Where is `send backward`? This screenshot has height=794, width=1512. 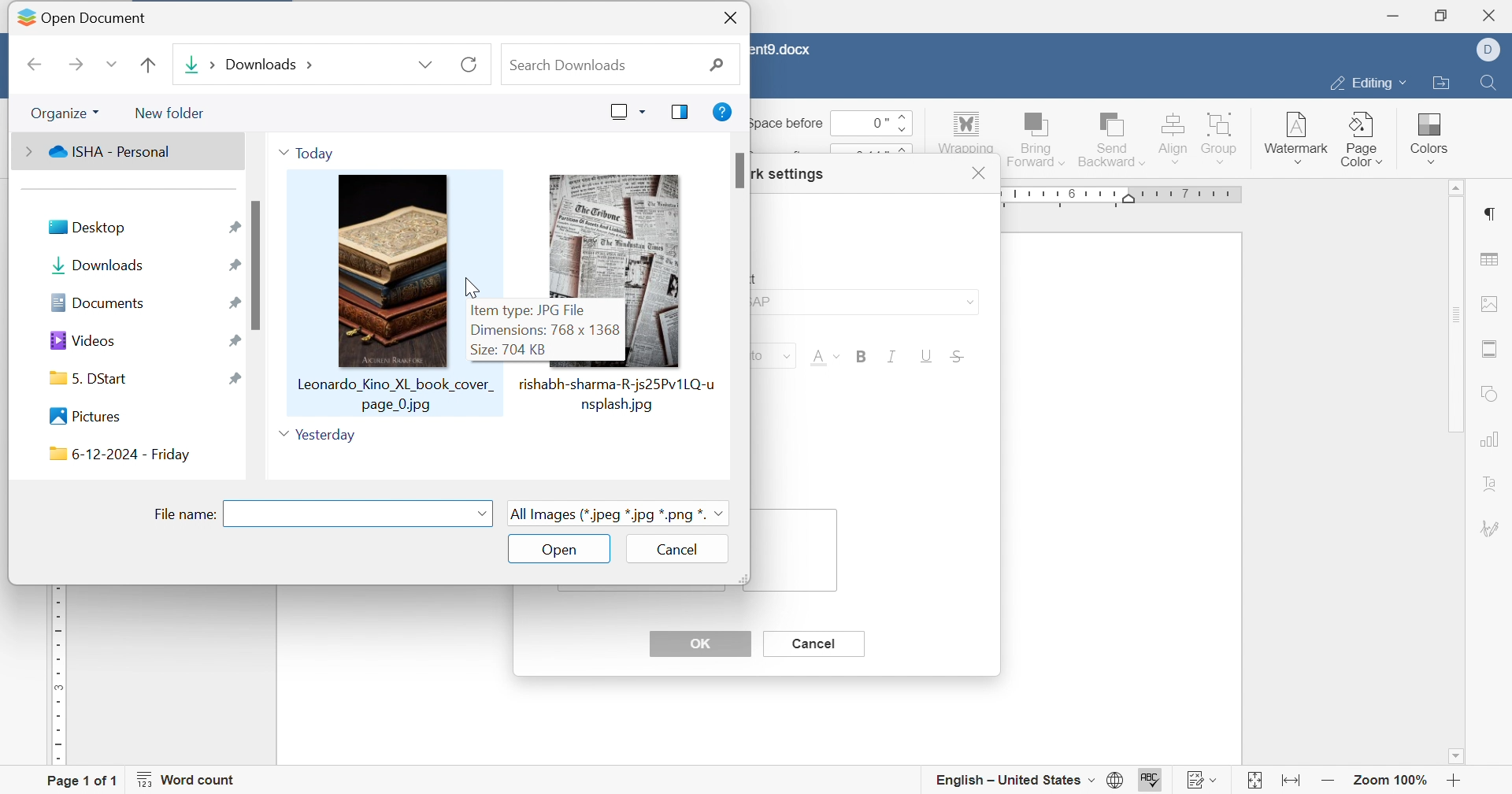
send backward is located at coordinates (1113, 137).